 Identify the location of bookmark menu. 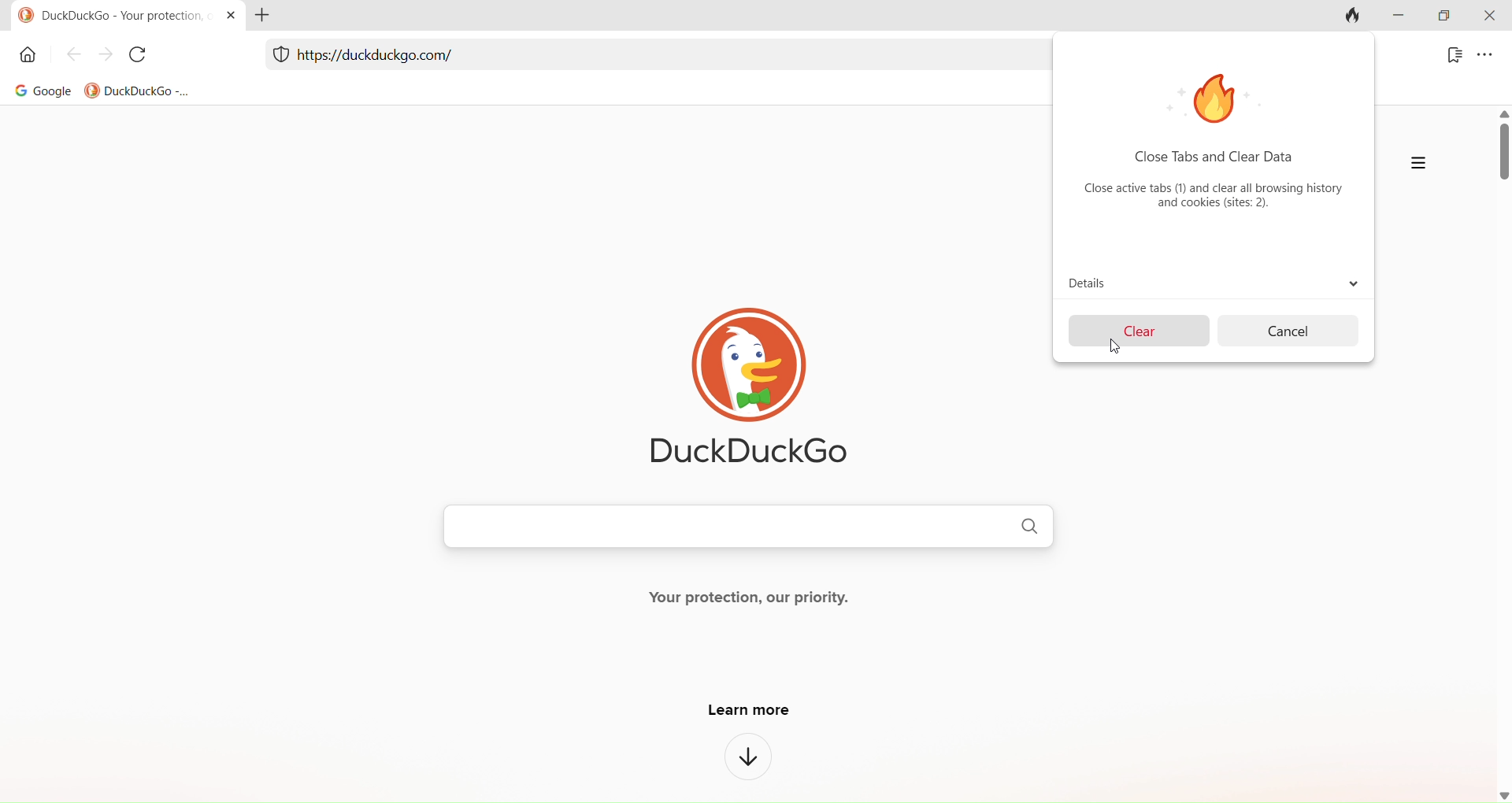
(1448, 58).